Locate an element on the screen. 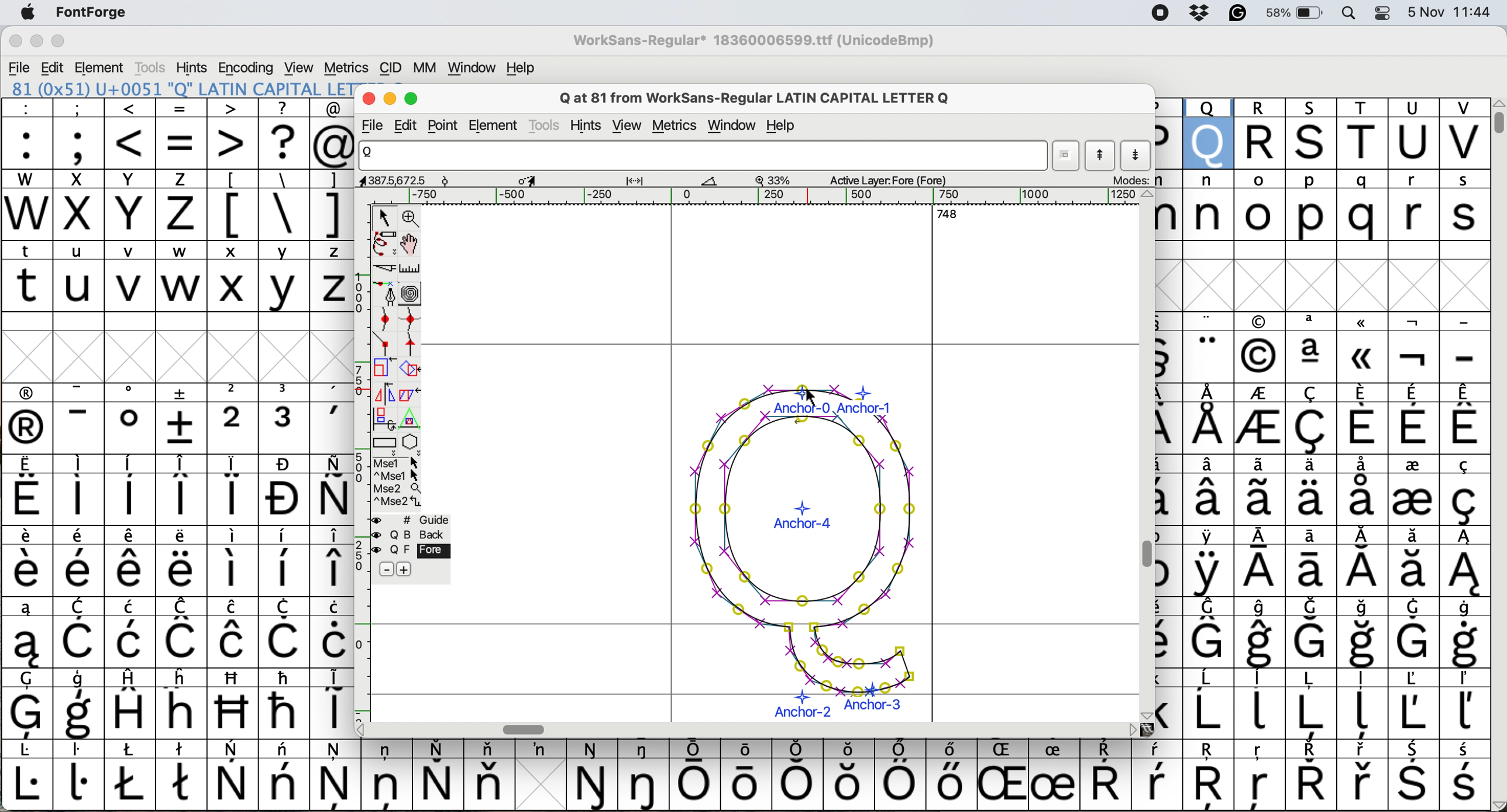  cursor is located at coordinates (812, 394).